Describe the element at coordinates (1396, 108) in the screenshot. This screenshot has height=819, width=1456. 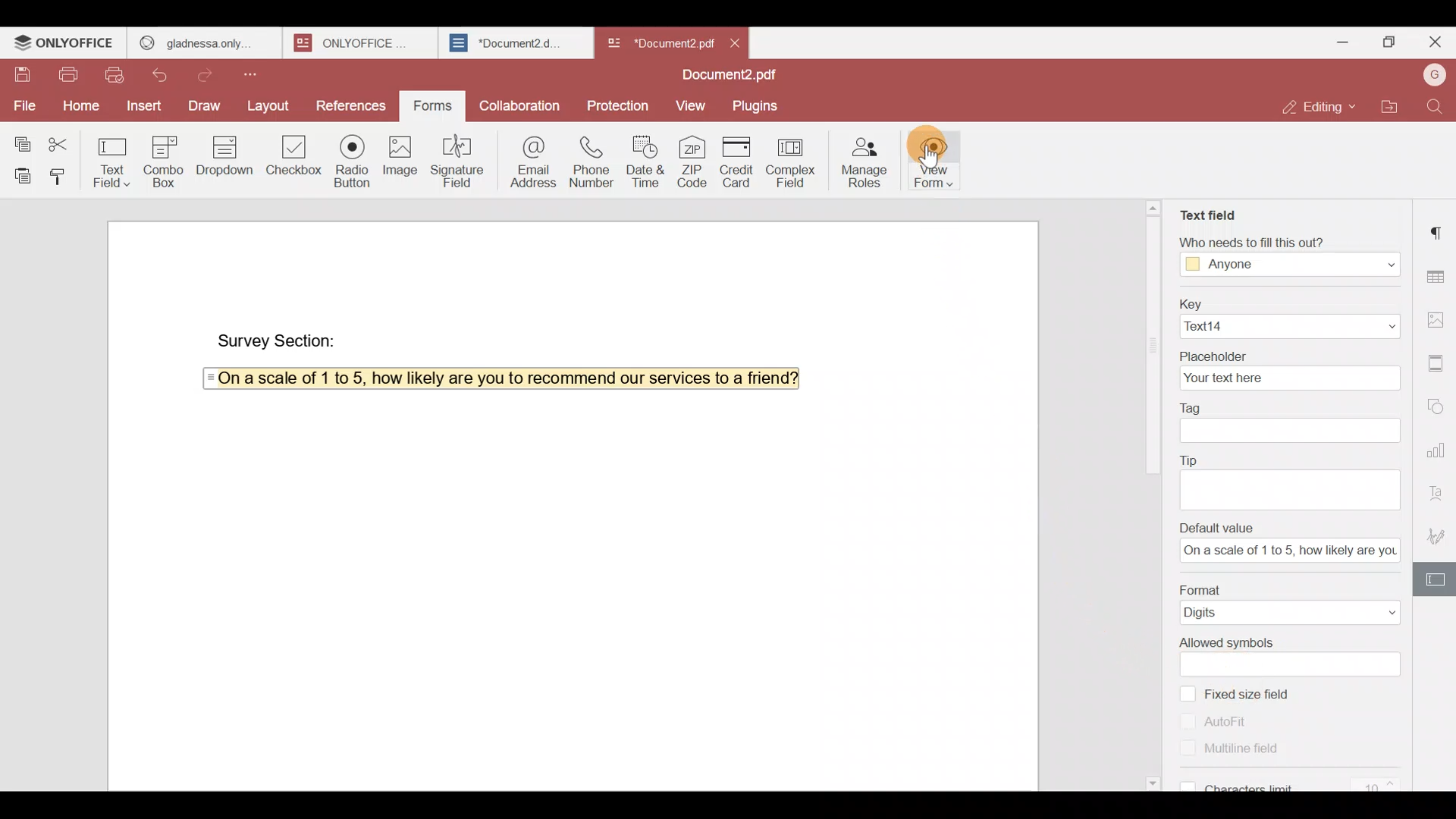
I see `Open file location` at that location.